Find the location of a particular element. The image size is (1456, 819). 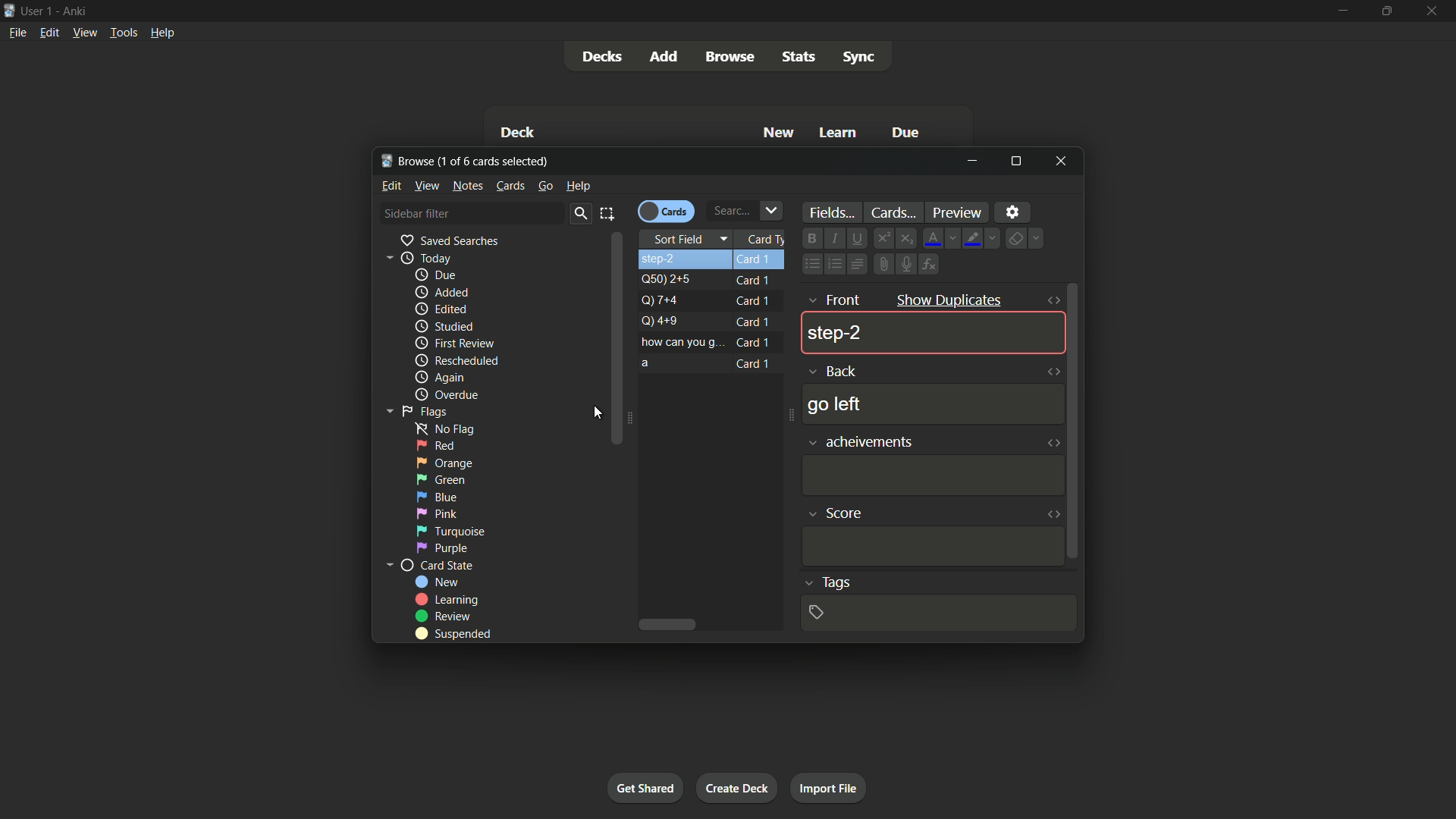

go is located at coordinates (544, 186).